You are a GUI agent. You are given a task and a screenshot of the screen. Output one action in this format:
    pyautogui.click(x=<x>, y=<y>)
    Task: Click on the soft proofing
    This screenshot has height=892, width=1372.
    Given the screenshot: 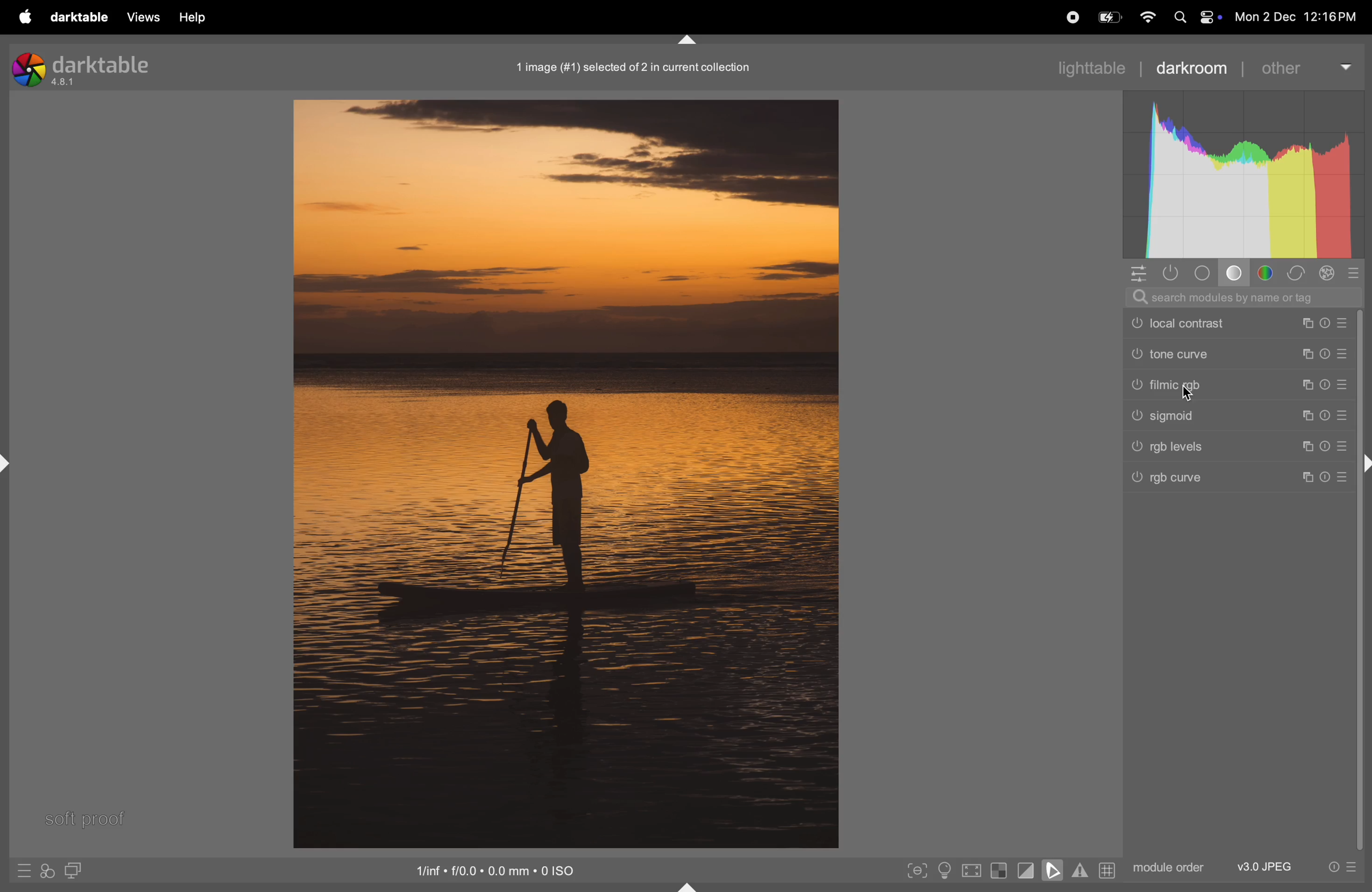 What is the action you would take?
    pyautogui.click(x=1055, y=870)
    